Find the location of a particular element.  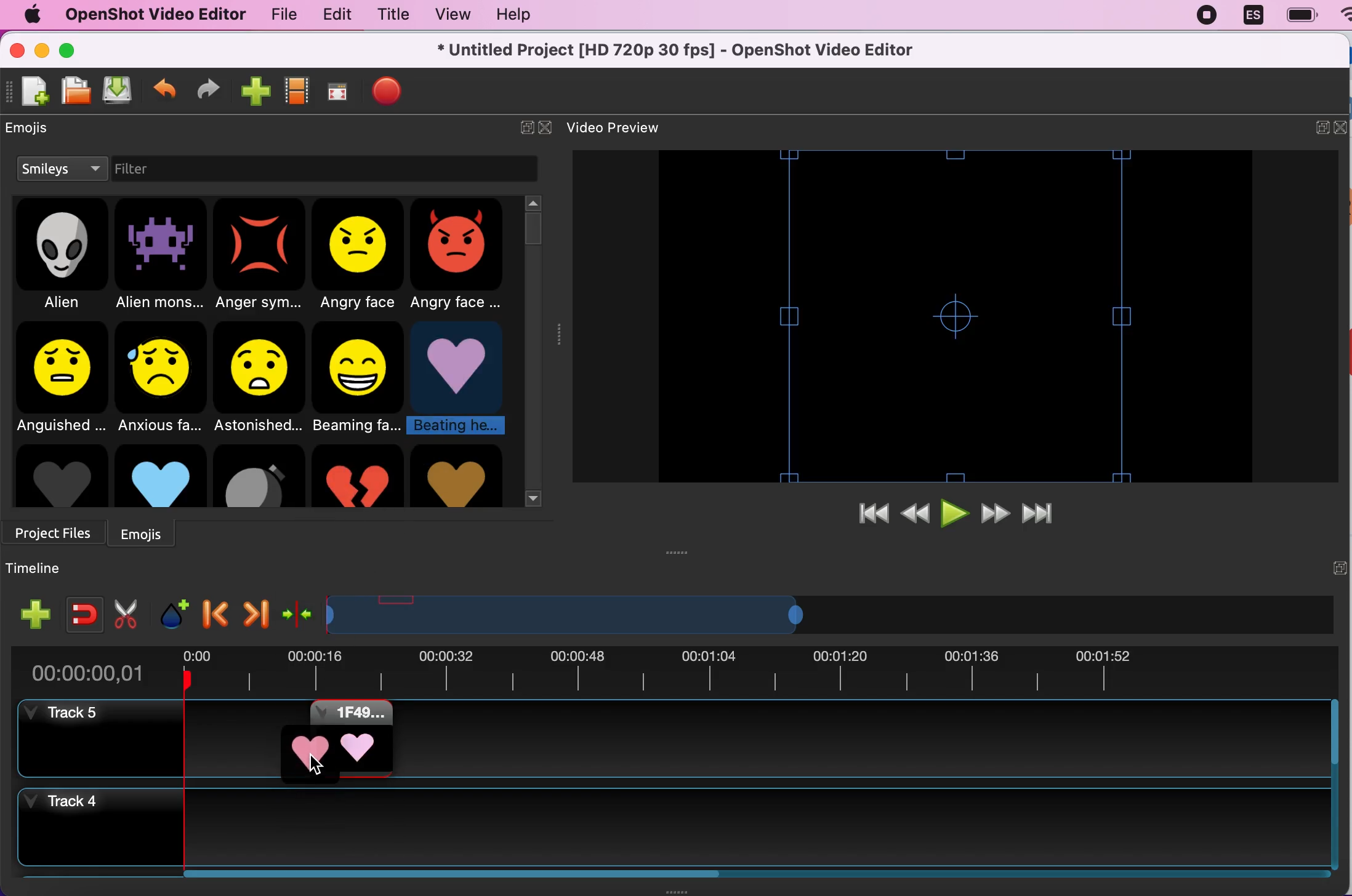

cut is located at coordinates (126, 613).